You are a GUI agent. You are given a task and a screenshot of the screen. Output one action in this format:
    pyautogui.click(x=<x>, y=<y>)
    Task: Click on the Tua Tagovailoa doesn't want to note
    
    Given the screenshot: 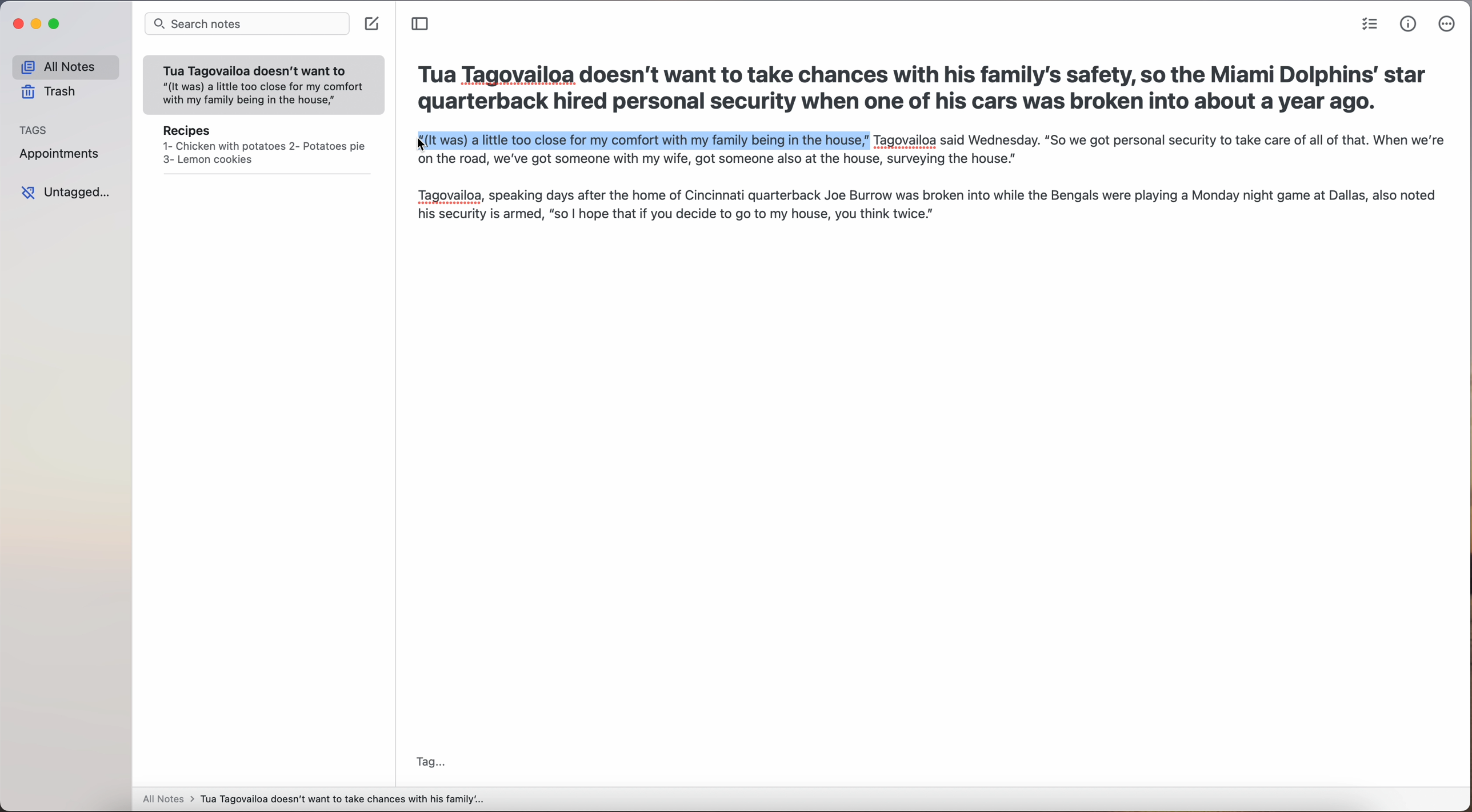 What is the action you would take?
    pyautogui.click(x=264, y=86)
    